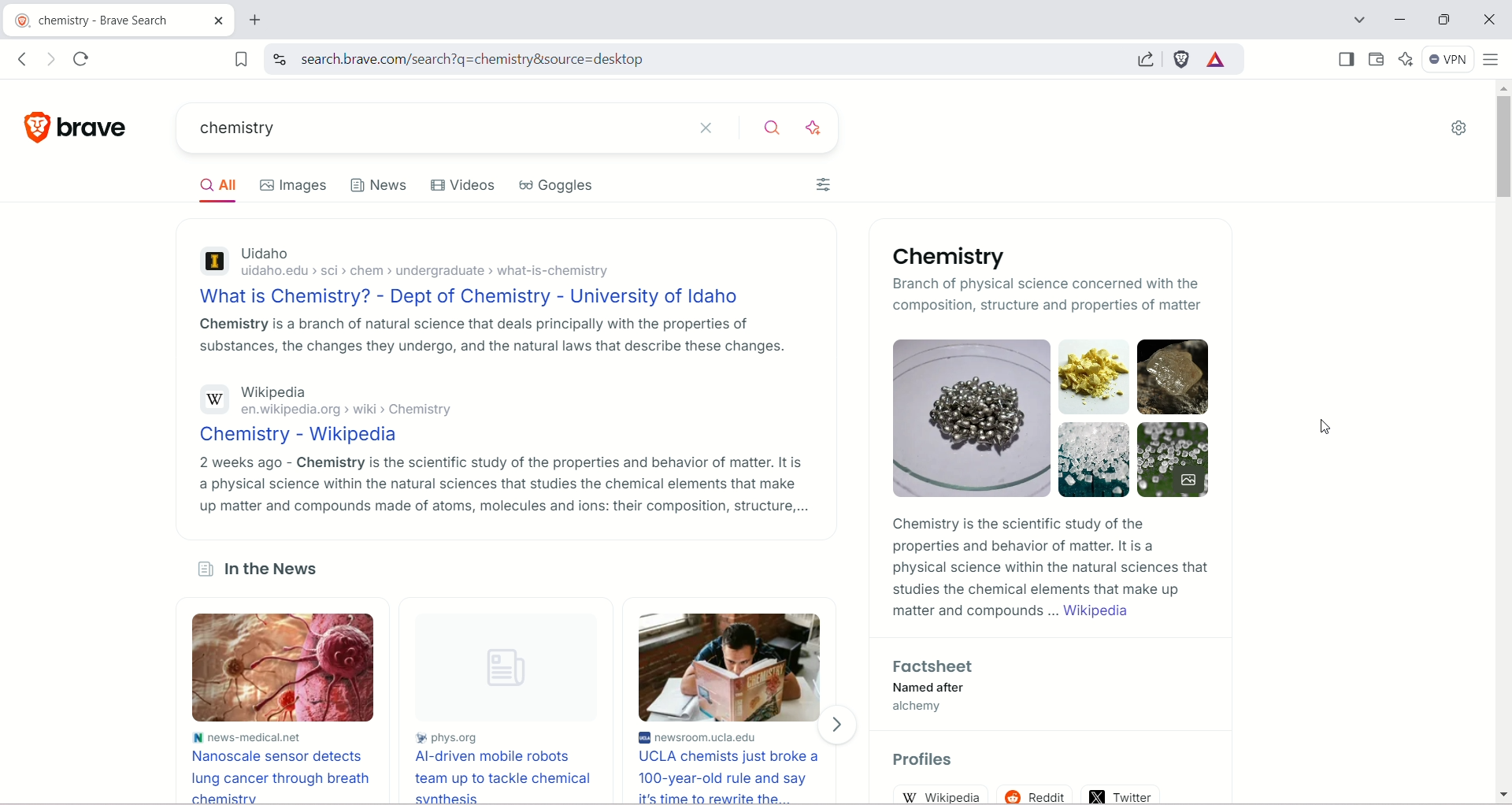  I want to click on Named after, so click(928, 687).